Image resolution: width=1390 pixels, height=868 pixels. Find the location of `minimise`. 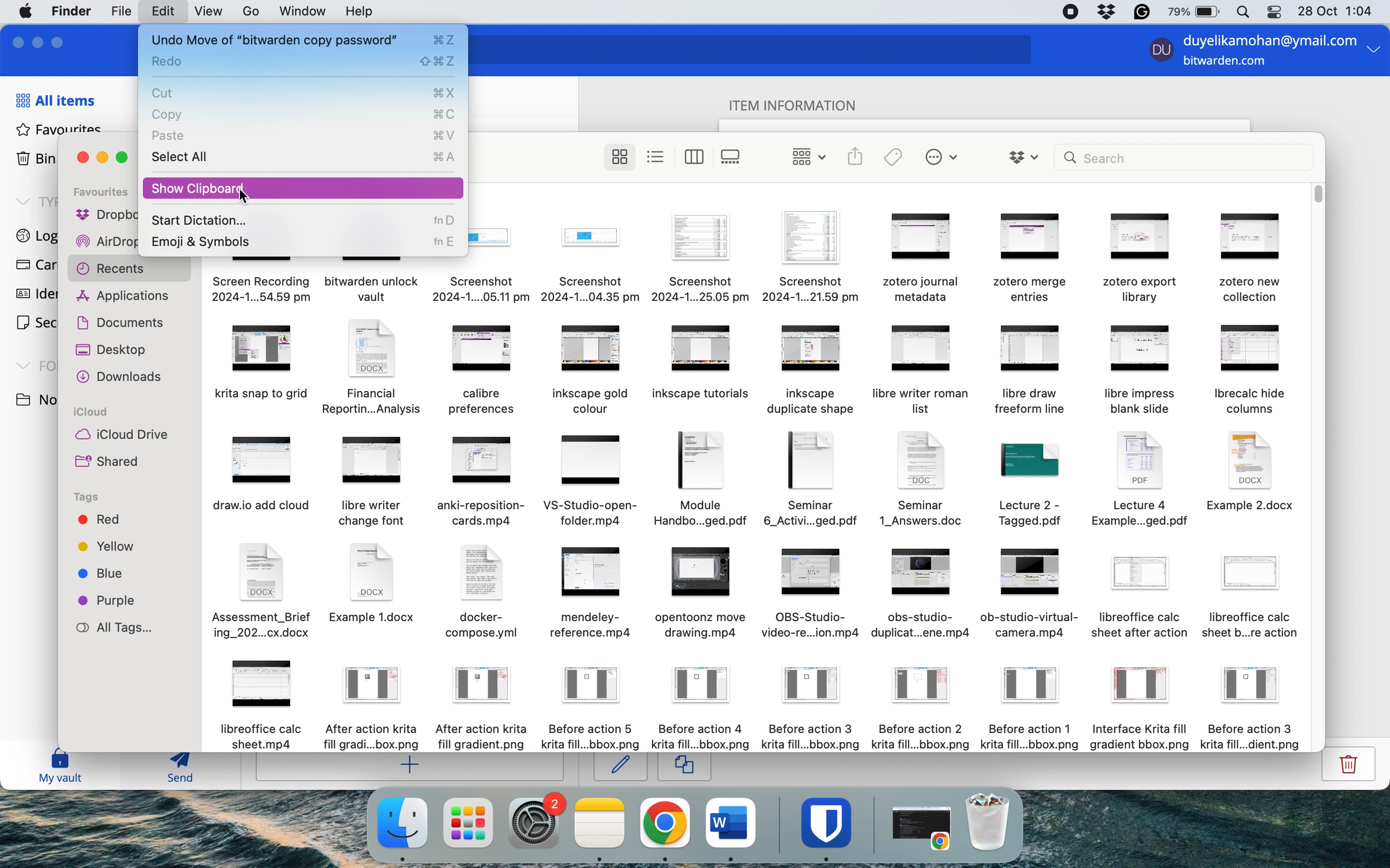

minimise is located at coordinates (105, 157).